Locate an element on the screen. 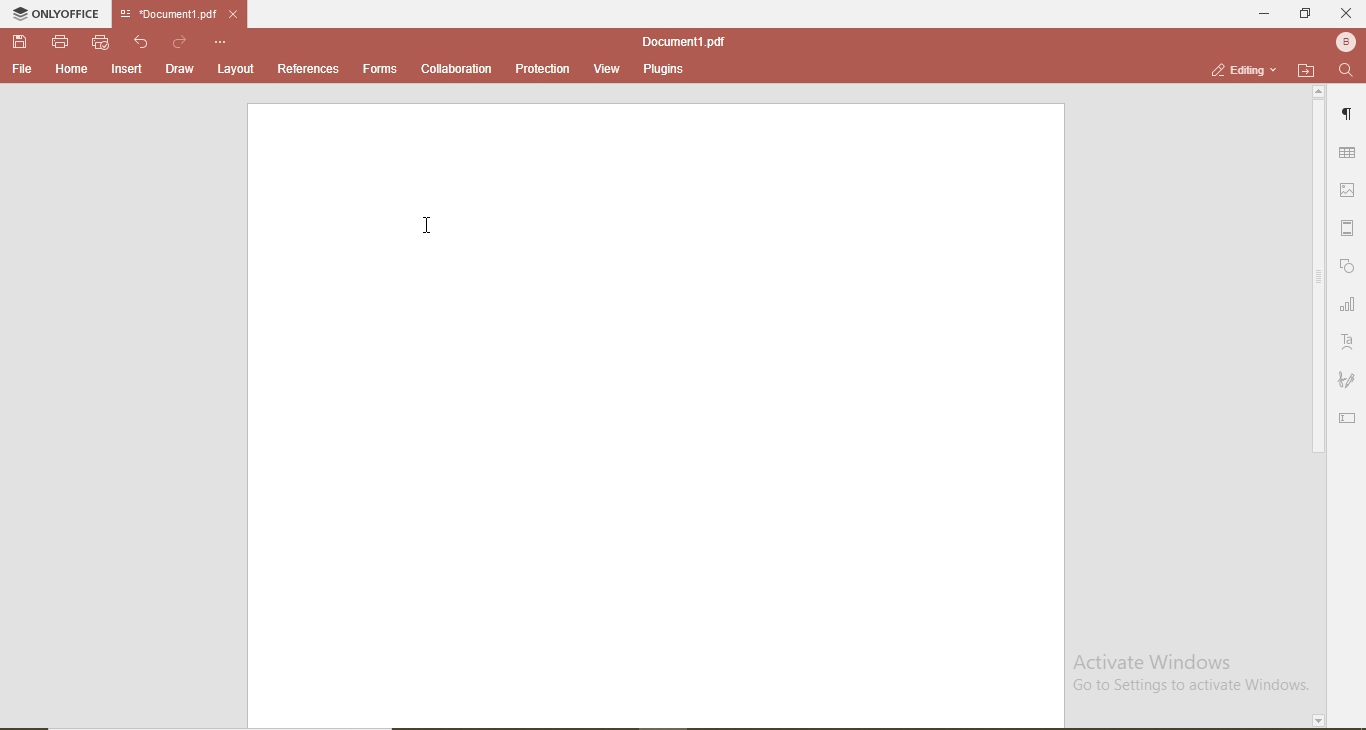  table is located at coordinates (1346, 154).